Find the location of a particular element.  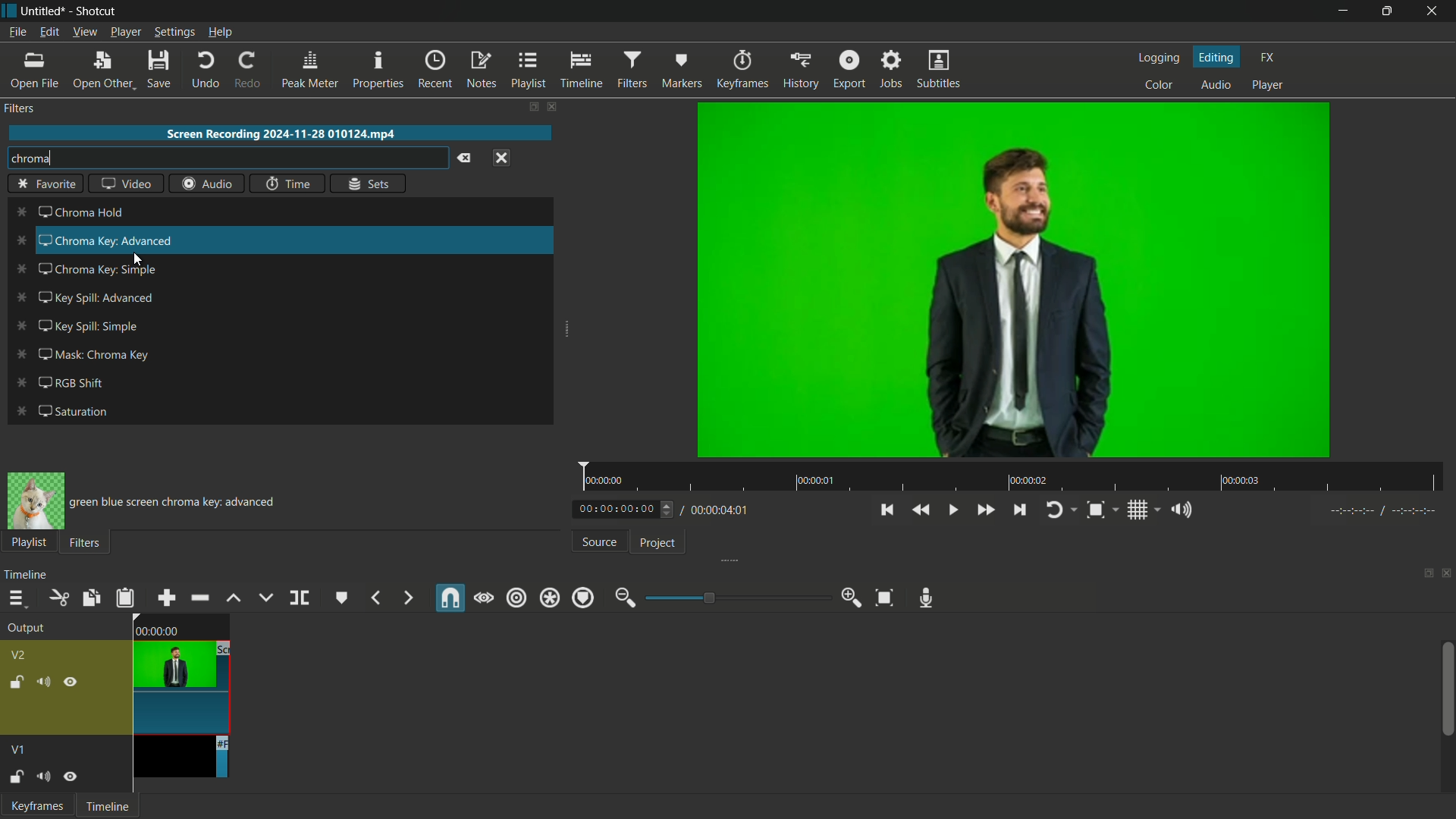

chroma hold is located at coordinates (83, 214).